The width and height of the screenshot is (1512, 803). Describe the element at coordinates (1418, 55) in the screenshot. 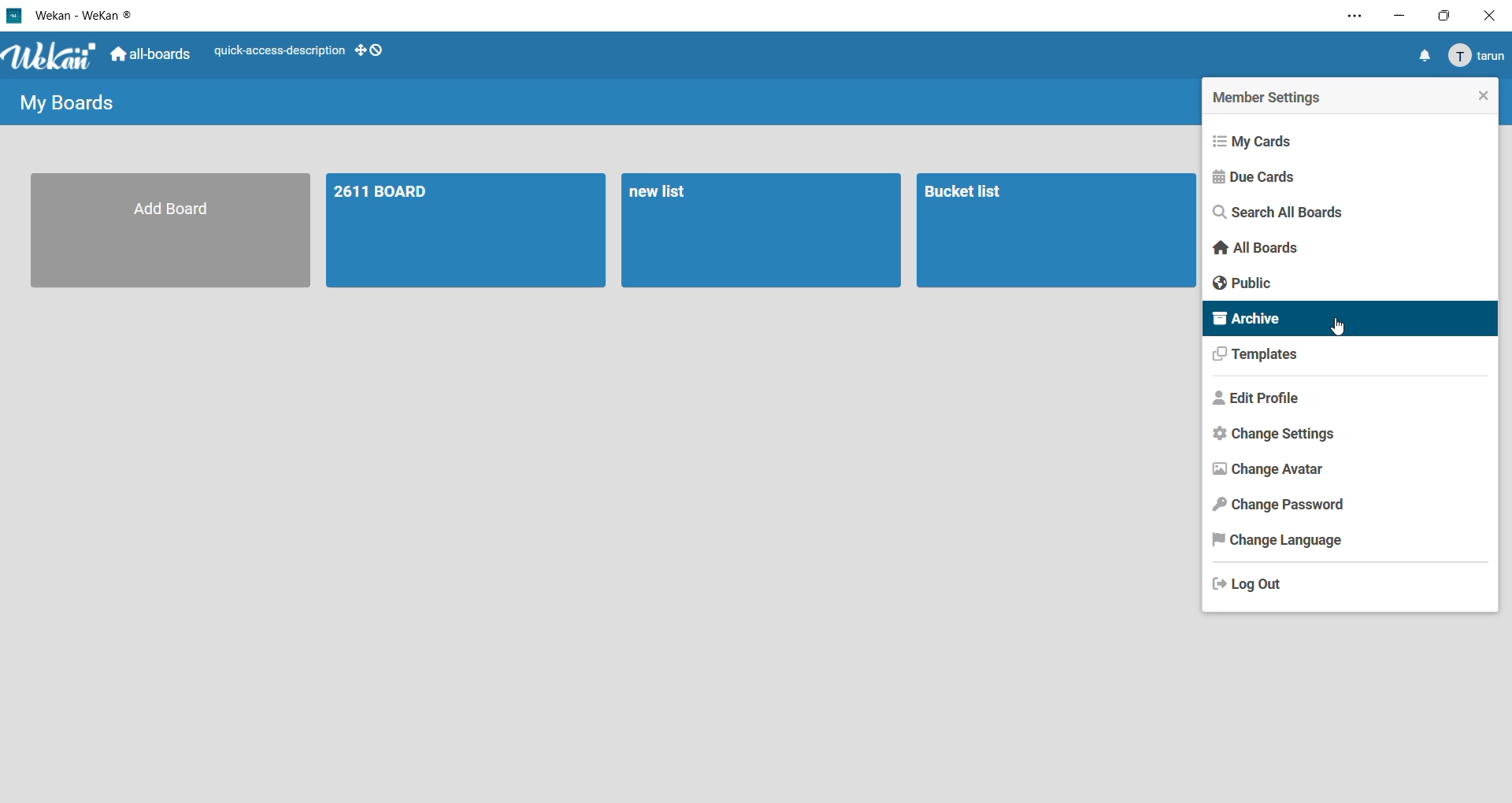

I see `notifications` at that location.